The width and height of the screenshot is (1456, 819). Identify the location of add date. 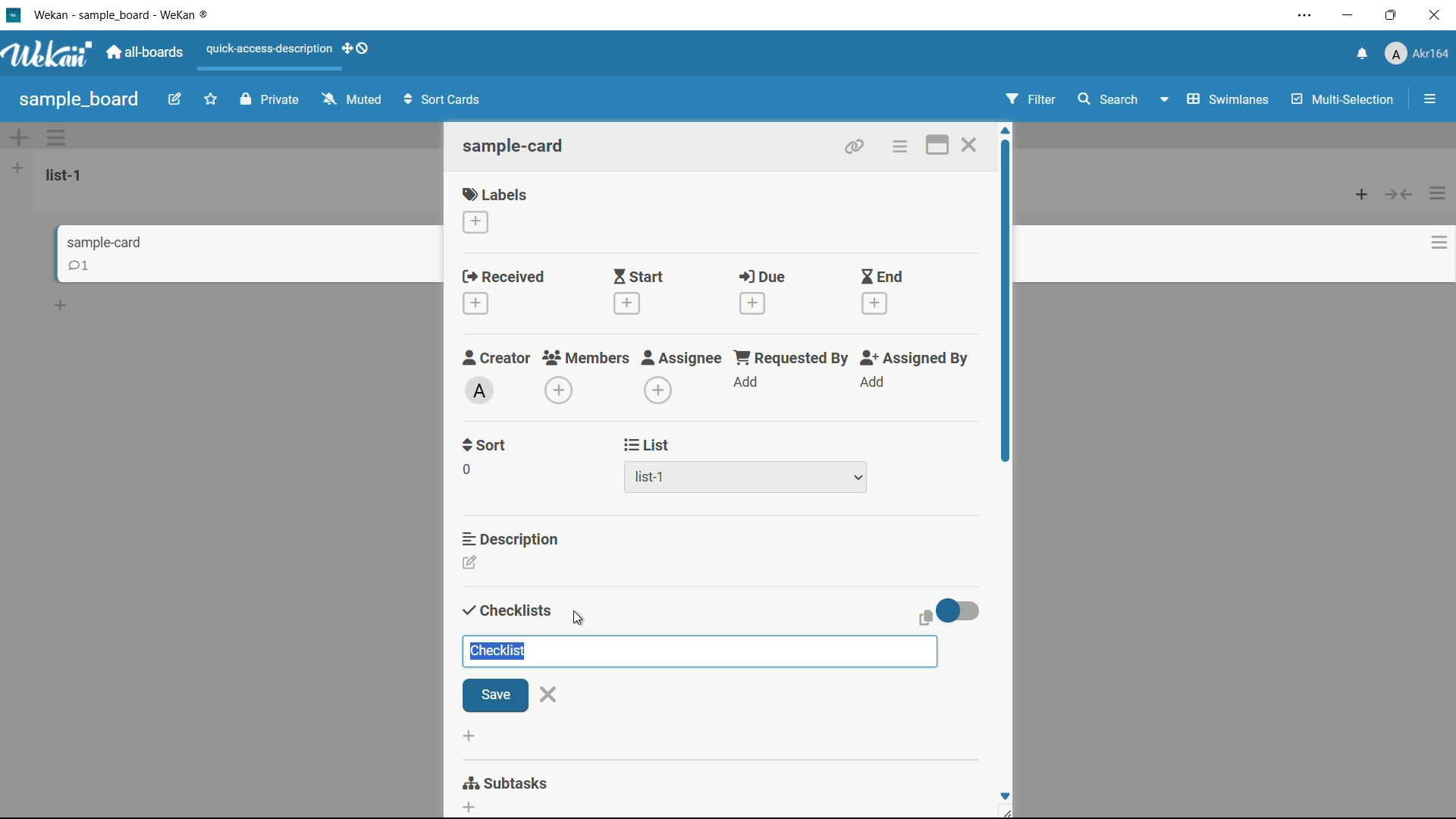
(476, 304).